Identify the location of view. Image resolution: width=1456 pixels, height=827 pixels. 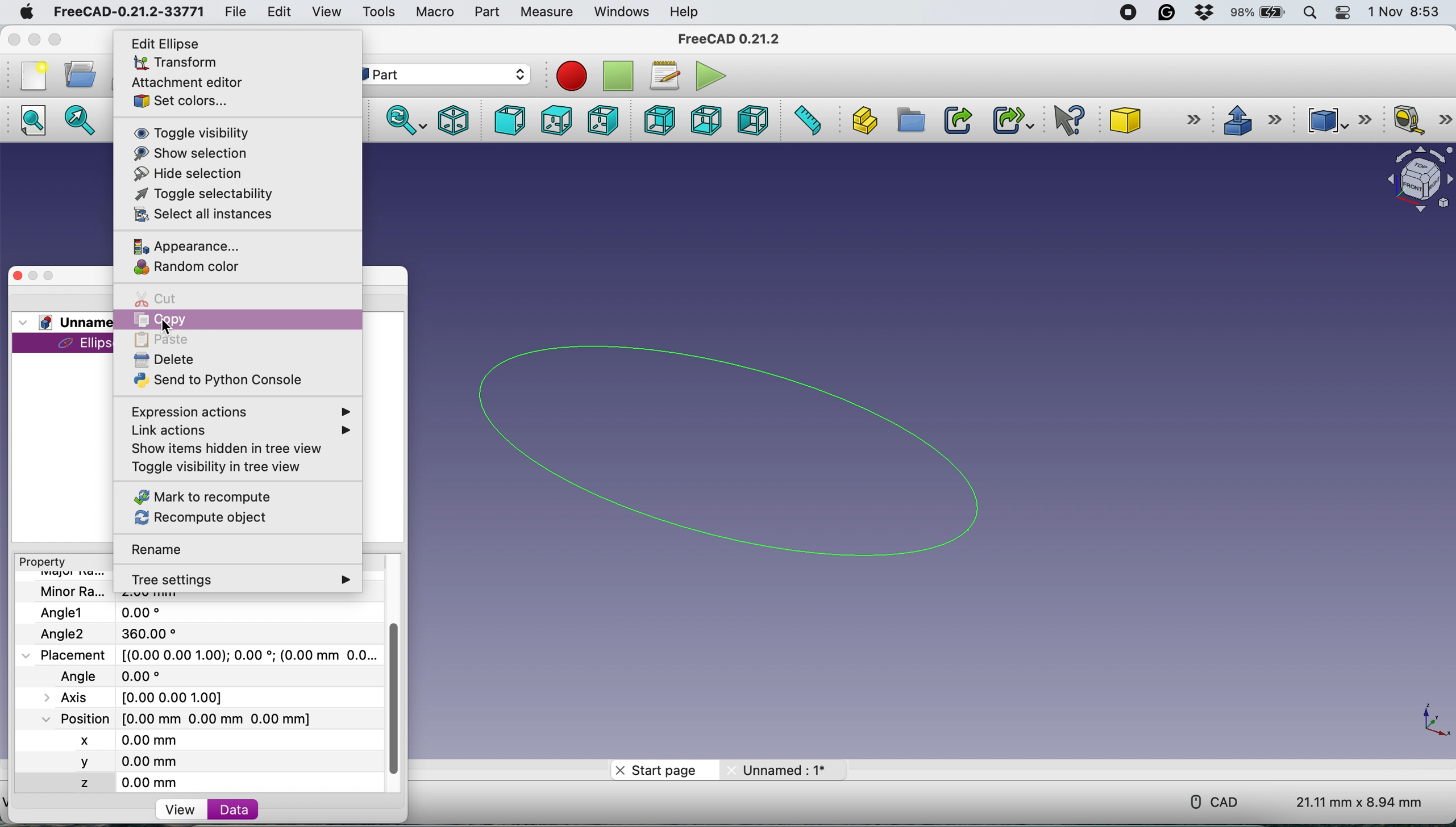
(185, 811).